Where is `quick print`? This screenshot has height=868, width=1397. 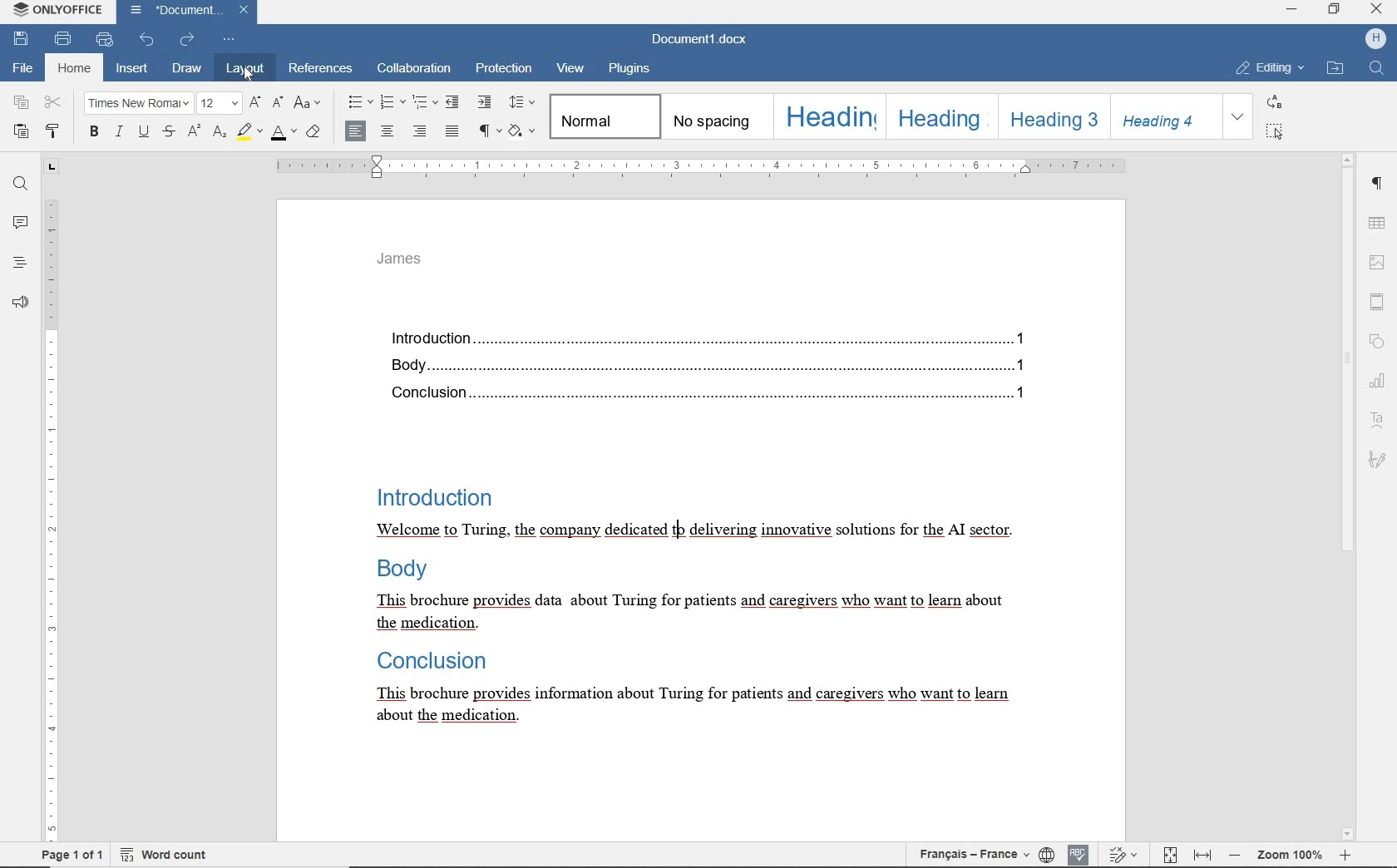 quick print is located at coordinates (105, 41).